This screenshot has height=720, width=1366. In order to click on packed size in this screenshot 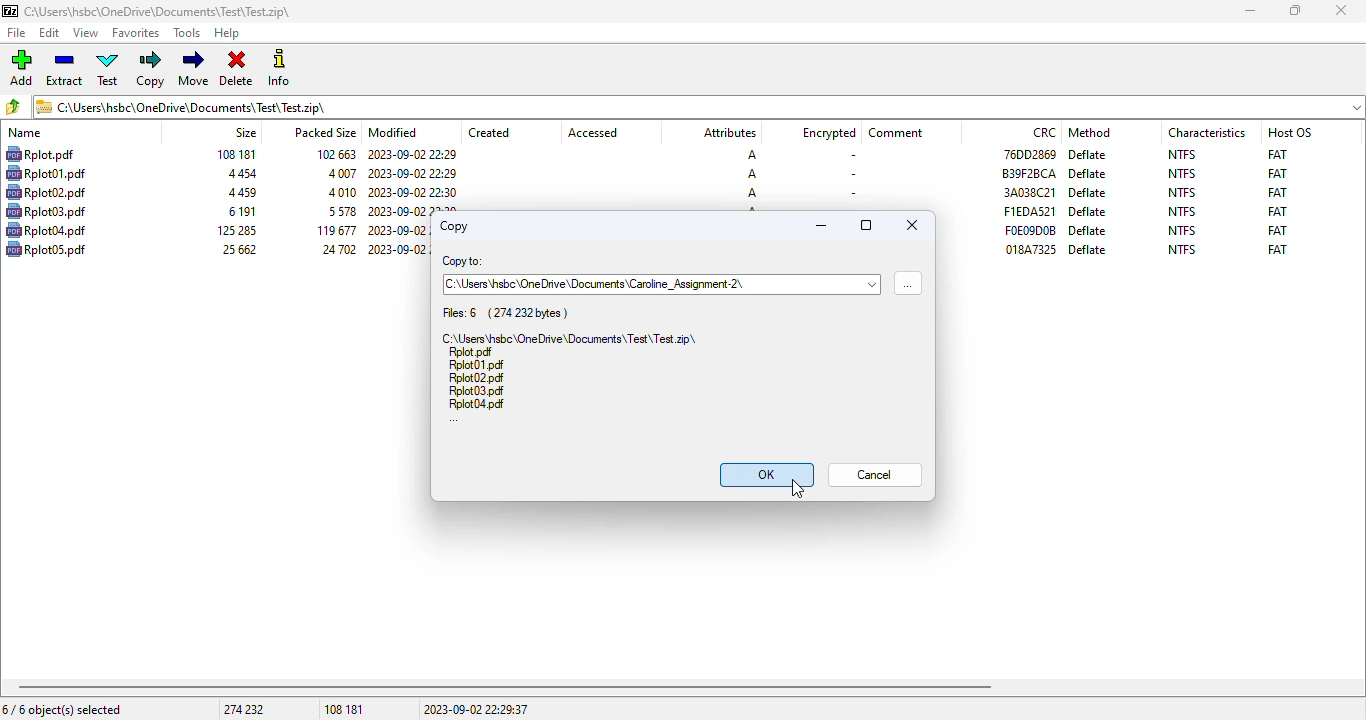, I will do `click(335, 249)`.